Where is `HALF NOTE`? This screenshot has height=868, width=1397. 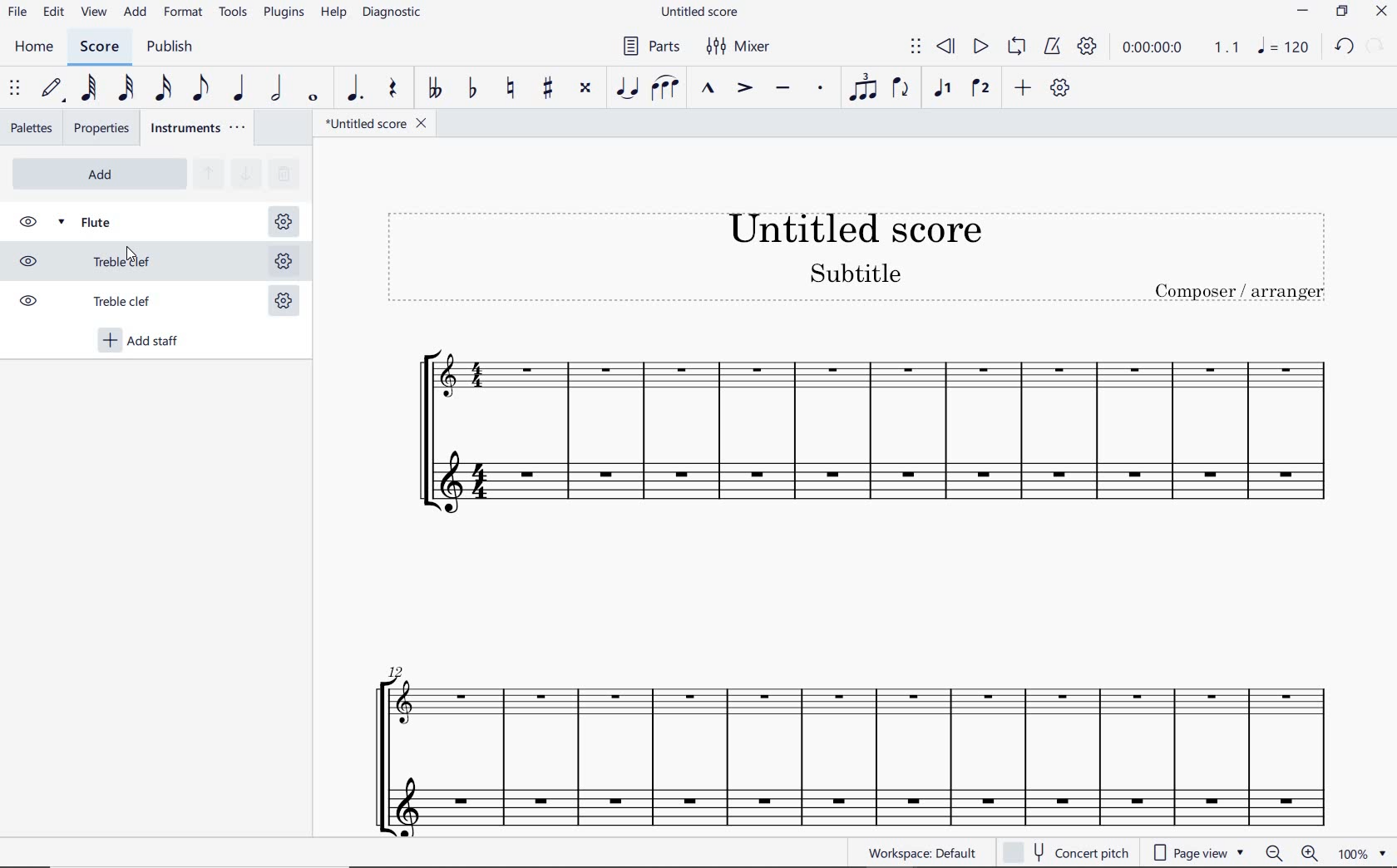
HALF NOTE is located at coordinates (278, 90).